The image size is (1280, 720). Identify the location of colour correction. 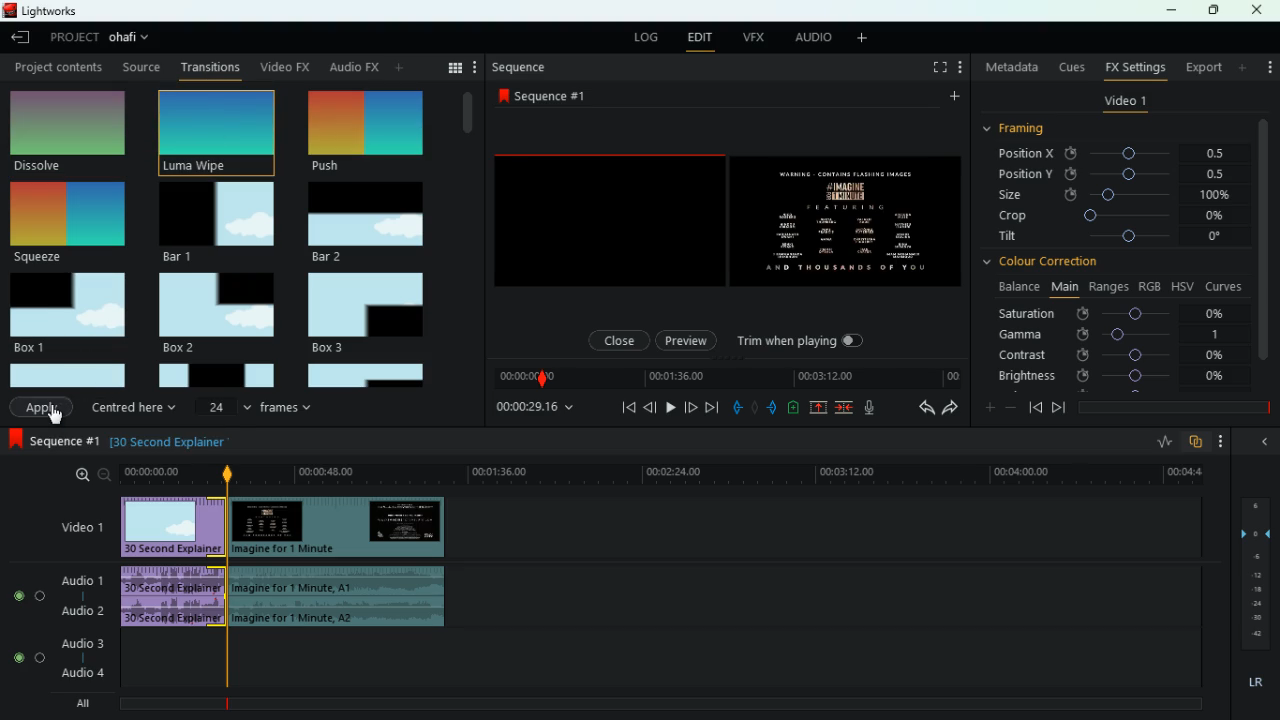
(1048, 261).